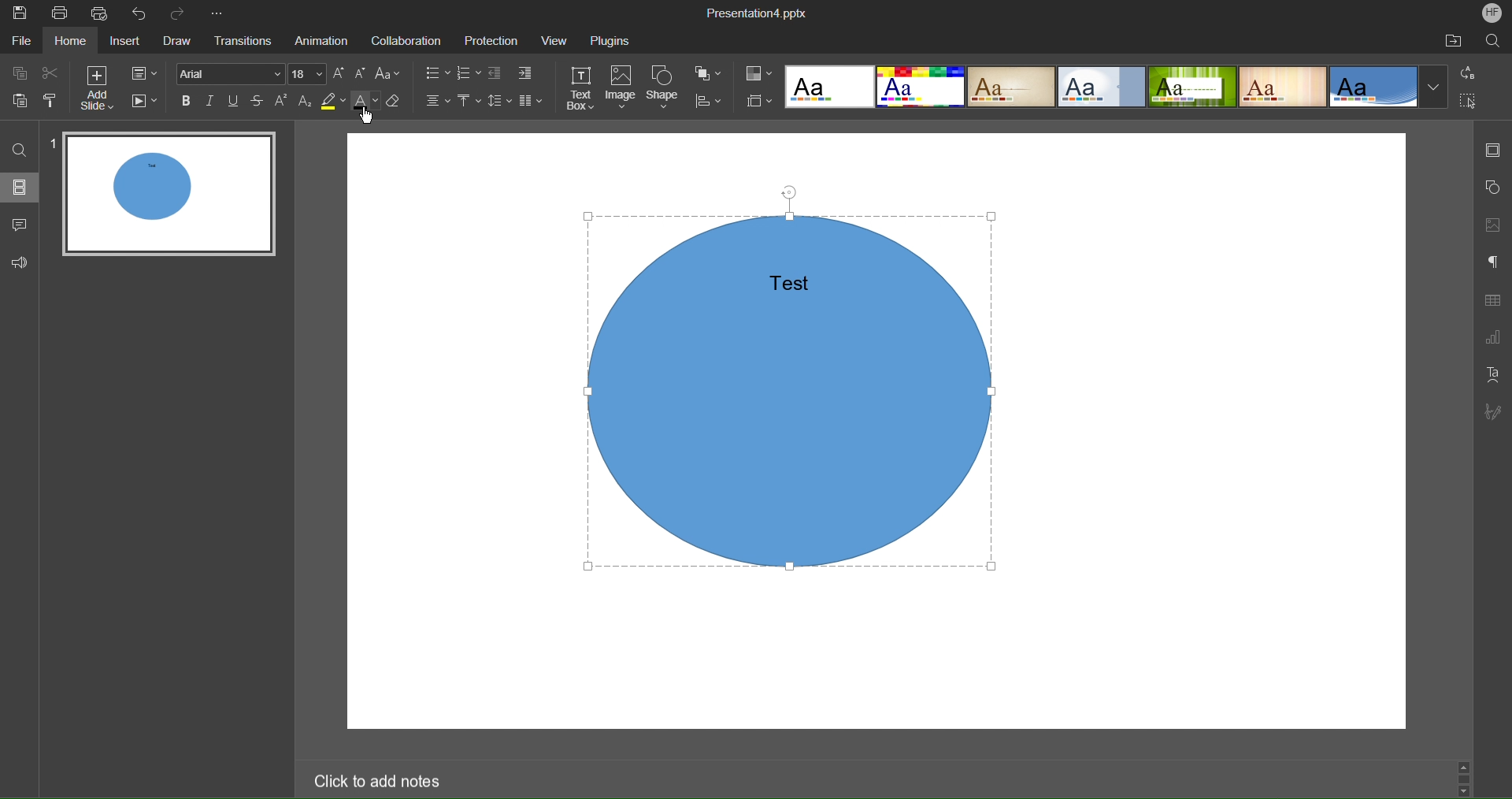  Describe the element at coordinates (1492, 225) in the screenshot. I see `Image Setting` at that location.